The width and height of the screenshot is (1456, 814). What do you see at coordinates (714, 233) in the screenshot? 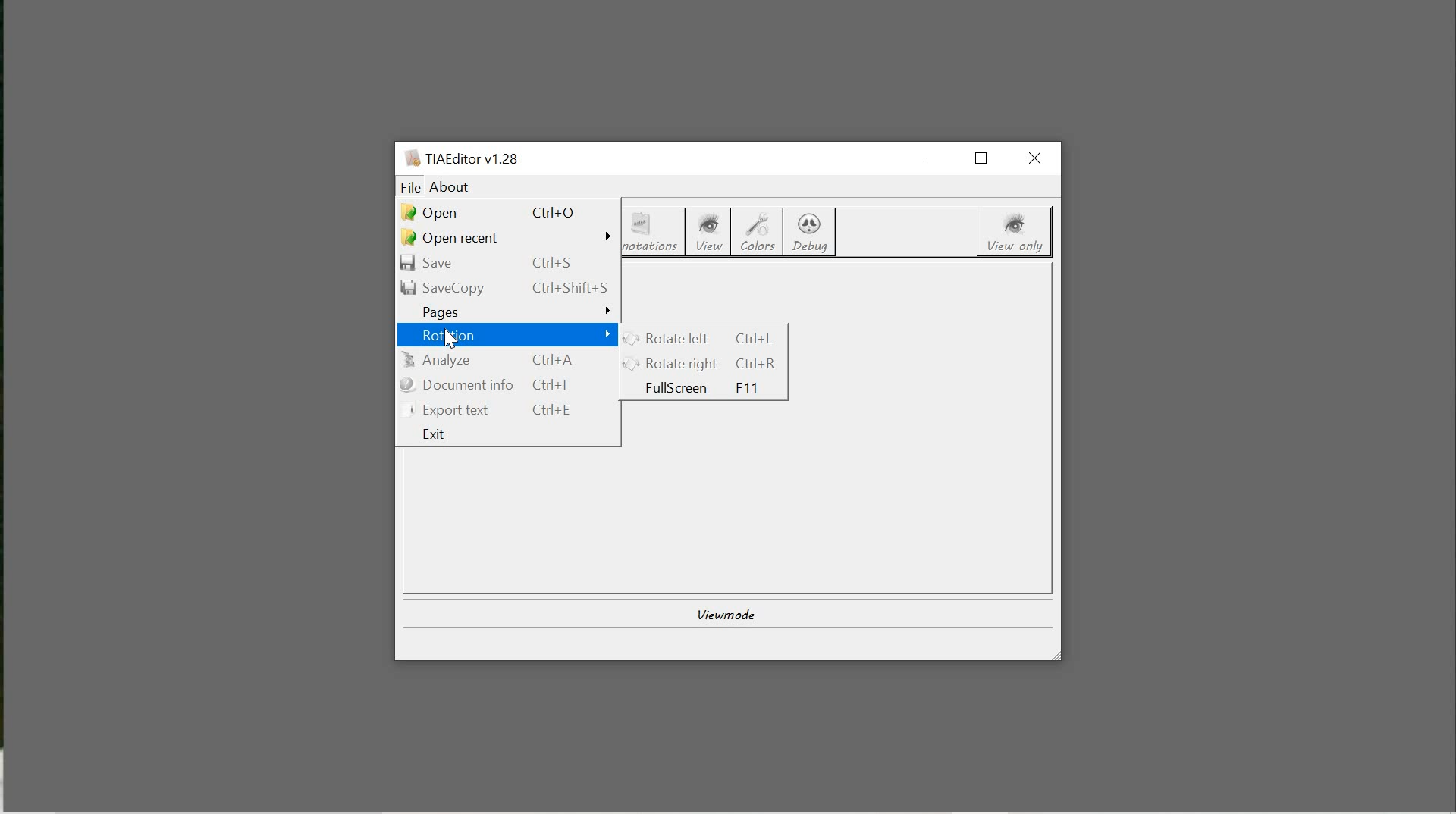
I see `view` at bounding box center [714, 233].